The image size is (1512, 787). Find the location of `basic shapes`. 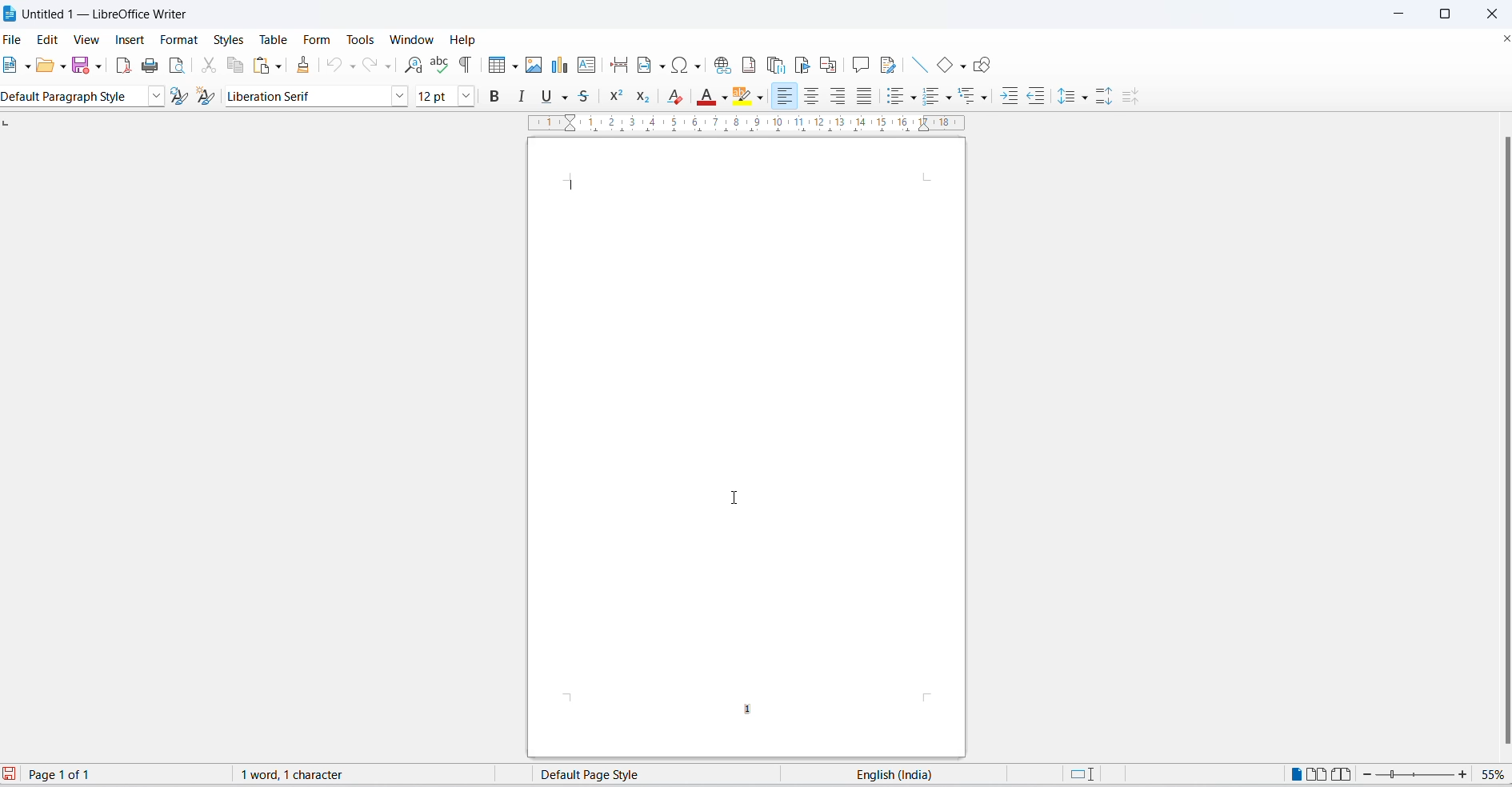

basic shapes is located at coordinates (942, 65).